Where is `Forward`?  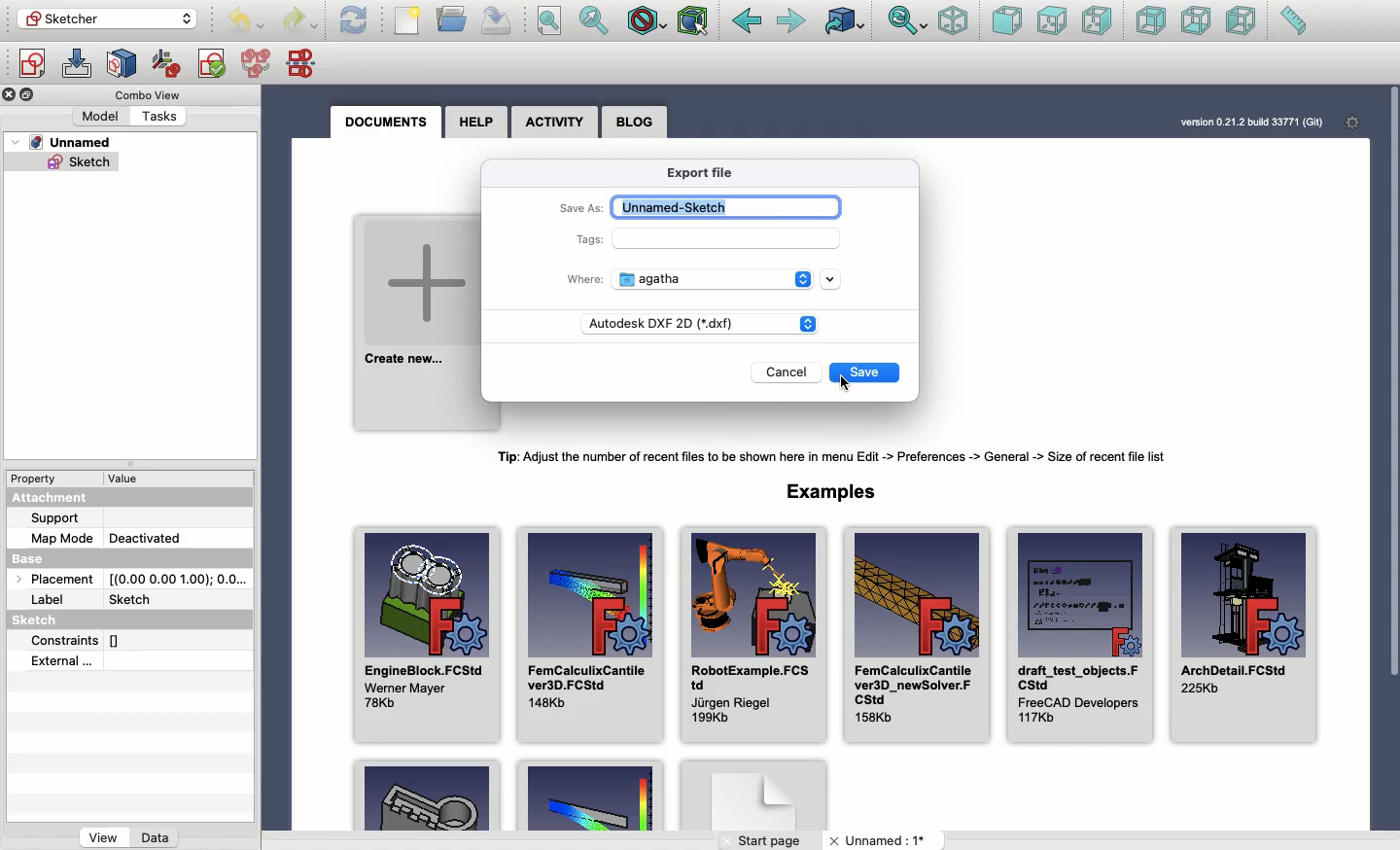 Forward is located at coordinates (794, 24).